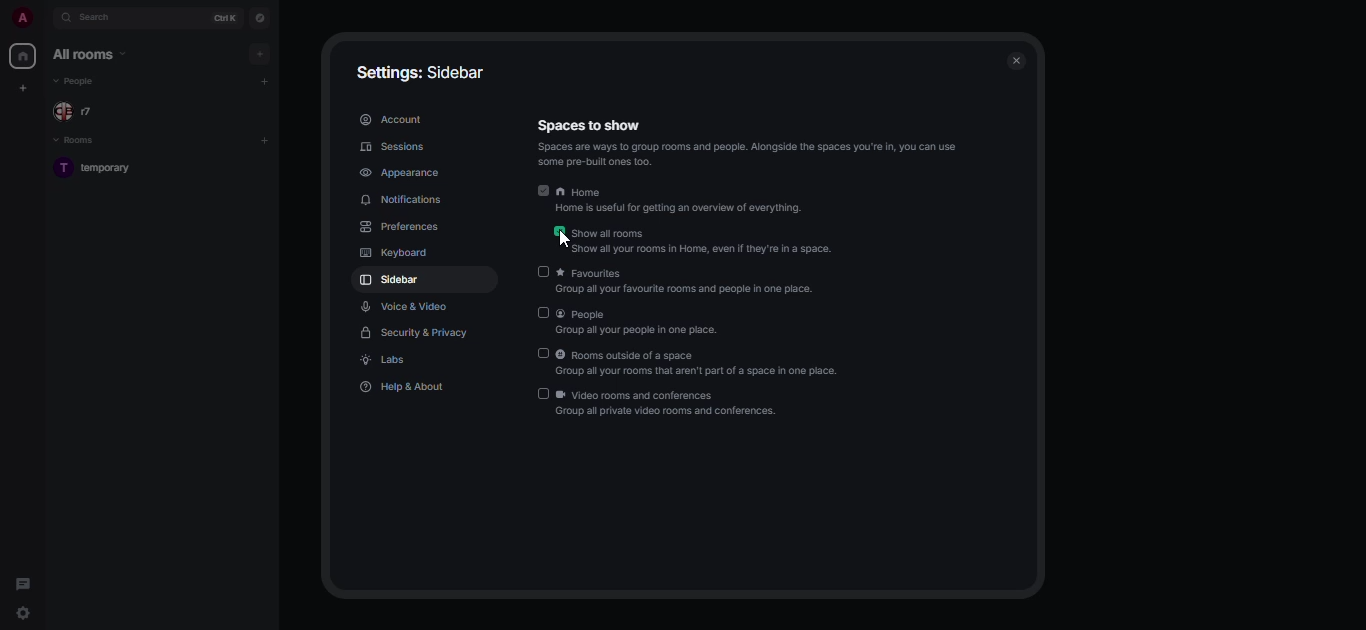 This screenshot has width=1366, height=630. I want to click on enabled, so click(543, 190).